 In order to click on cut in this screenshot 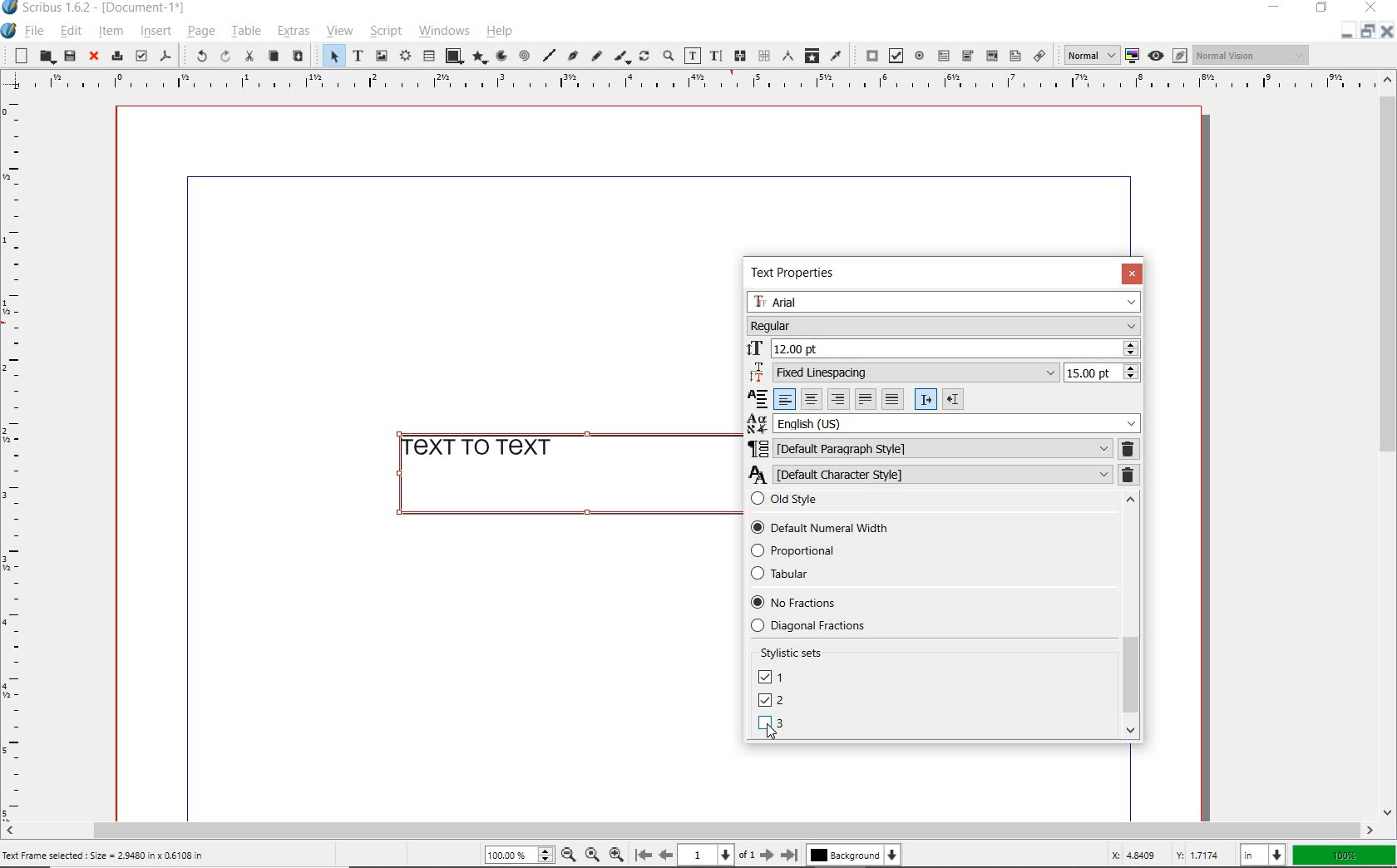, I will do `click(249, 57)`.